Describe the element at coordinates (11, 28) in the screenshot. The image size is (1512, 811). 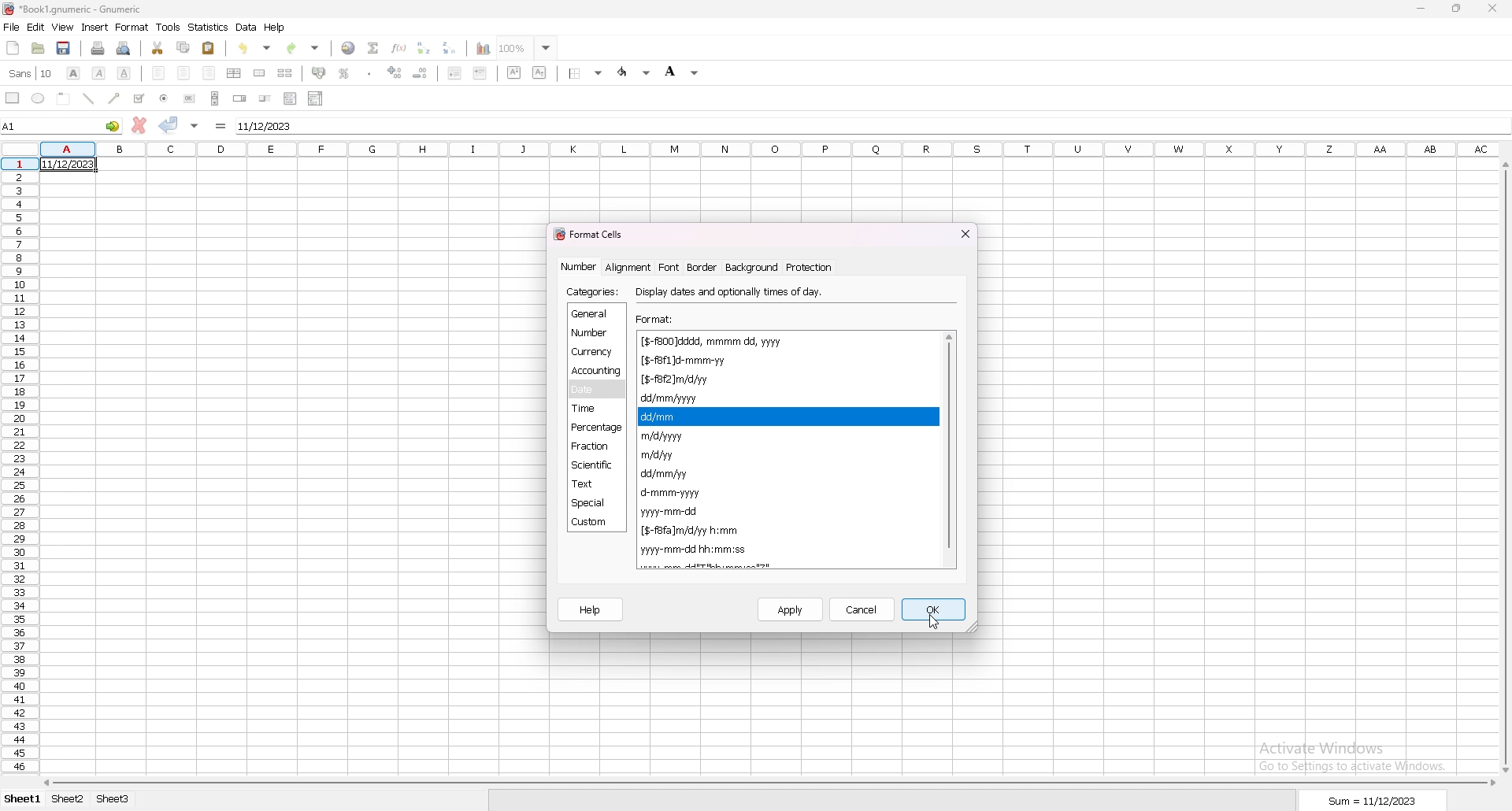
I see `file` at that location.